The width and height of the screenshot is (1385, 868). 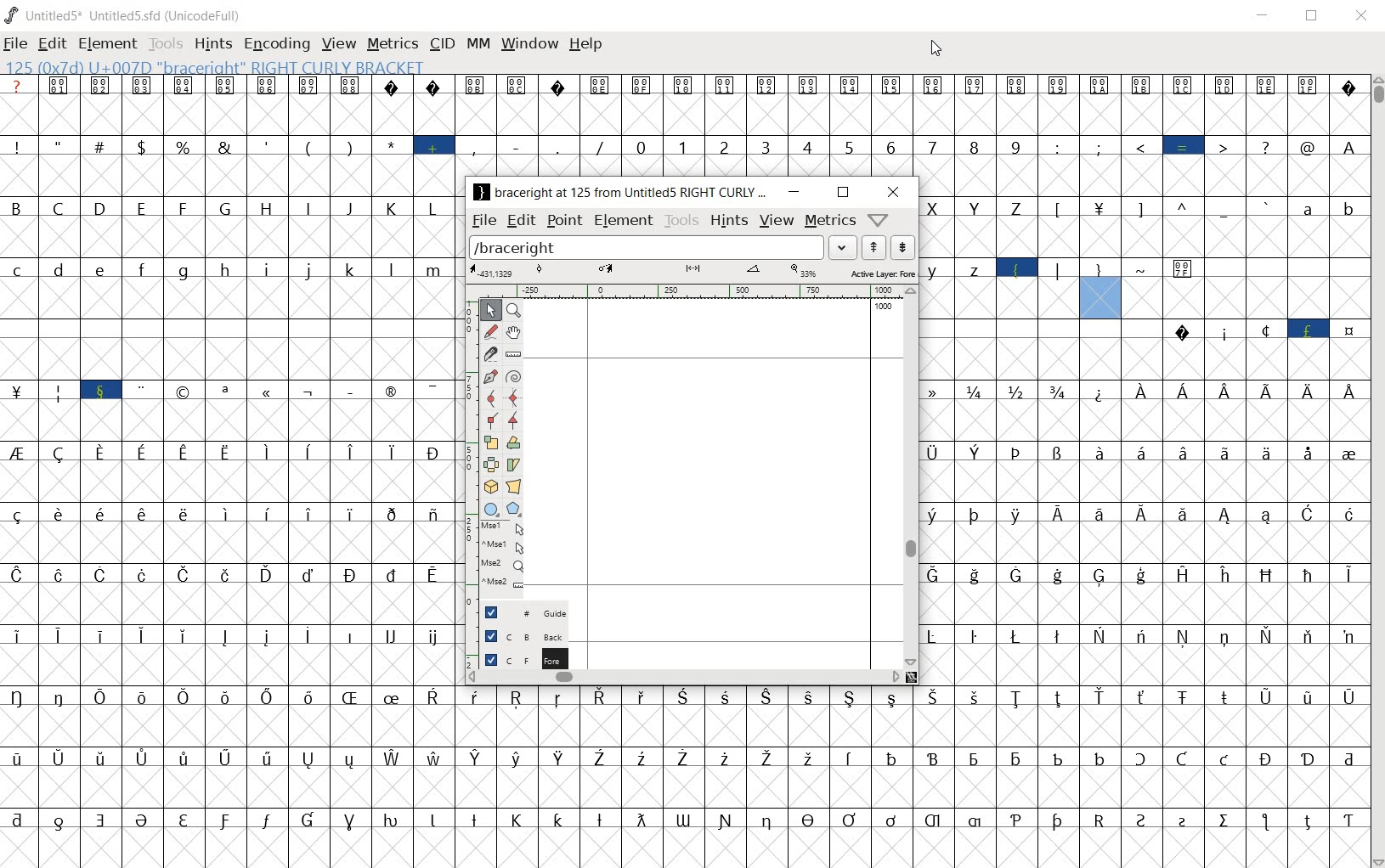 I want to click on MM, so click(x=478, y=45).